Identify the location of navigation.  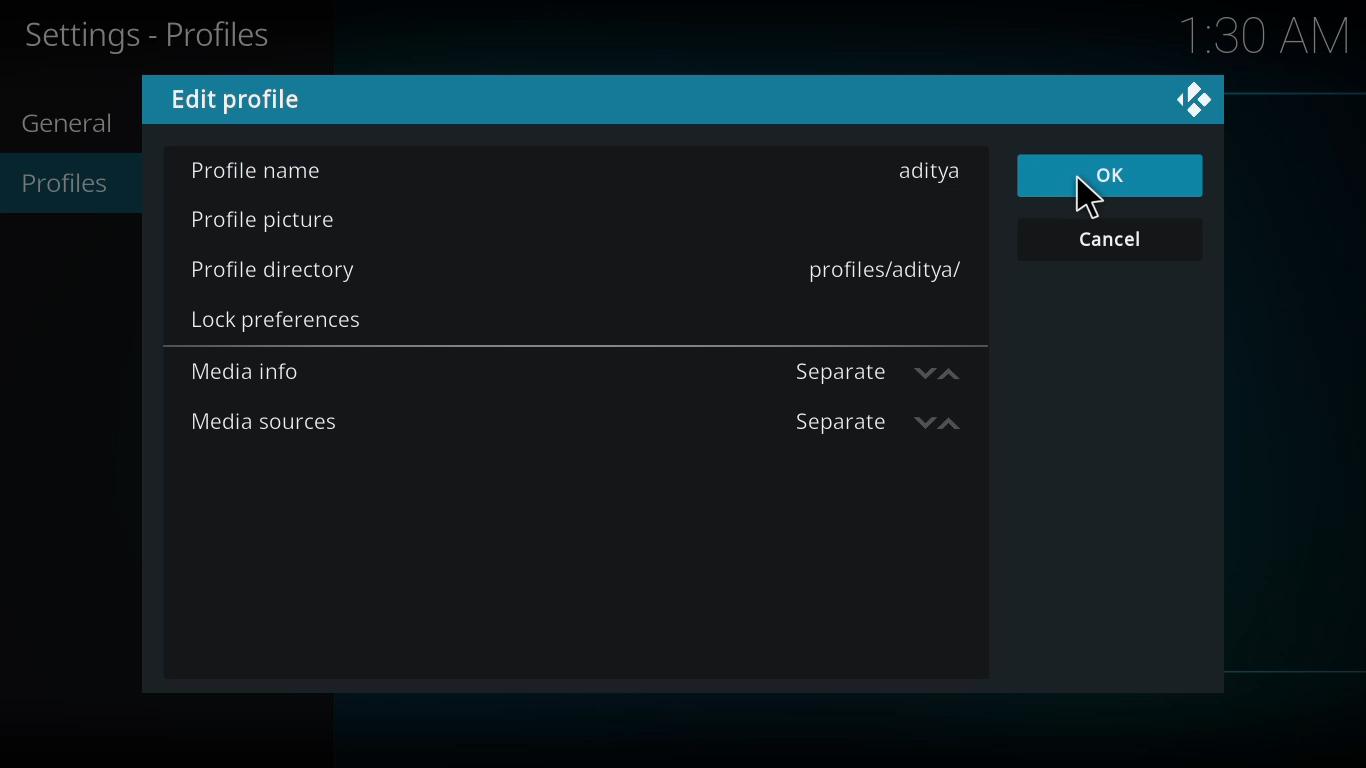
(945, 374).